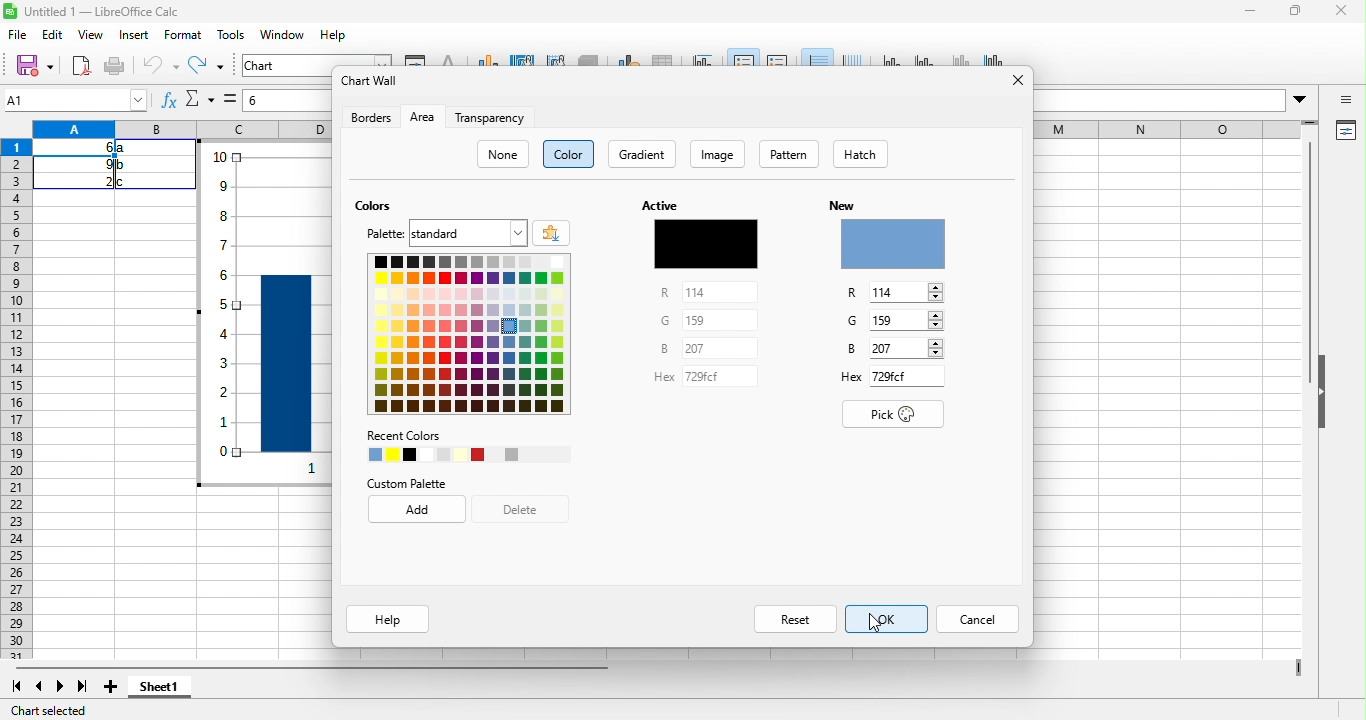 The image size is (1366, 720). What do you see at coordinates (379, 206) in the screenshot?
I see `colors` at bounding box center [379, 206].